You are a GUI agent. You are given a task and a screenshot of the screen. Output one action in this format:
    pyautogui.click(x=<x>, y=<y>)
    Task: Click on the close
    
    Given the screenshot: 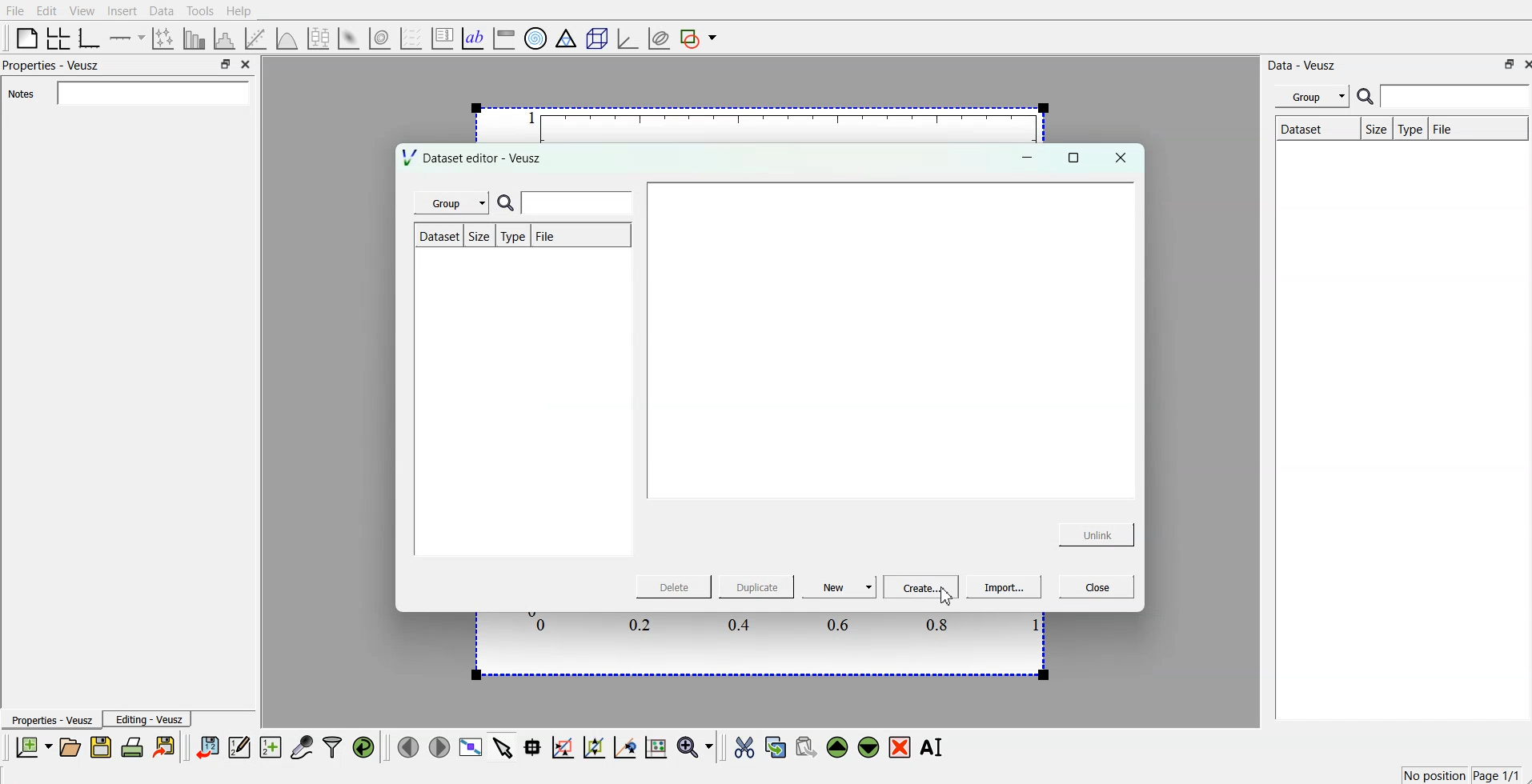 What is the action you would take?
    pyautogui.click(x=1522, y=64)
    